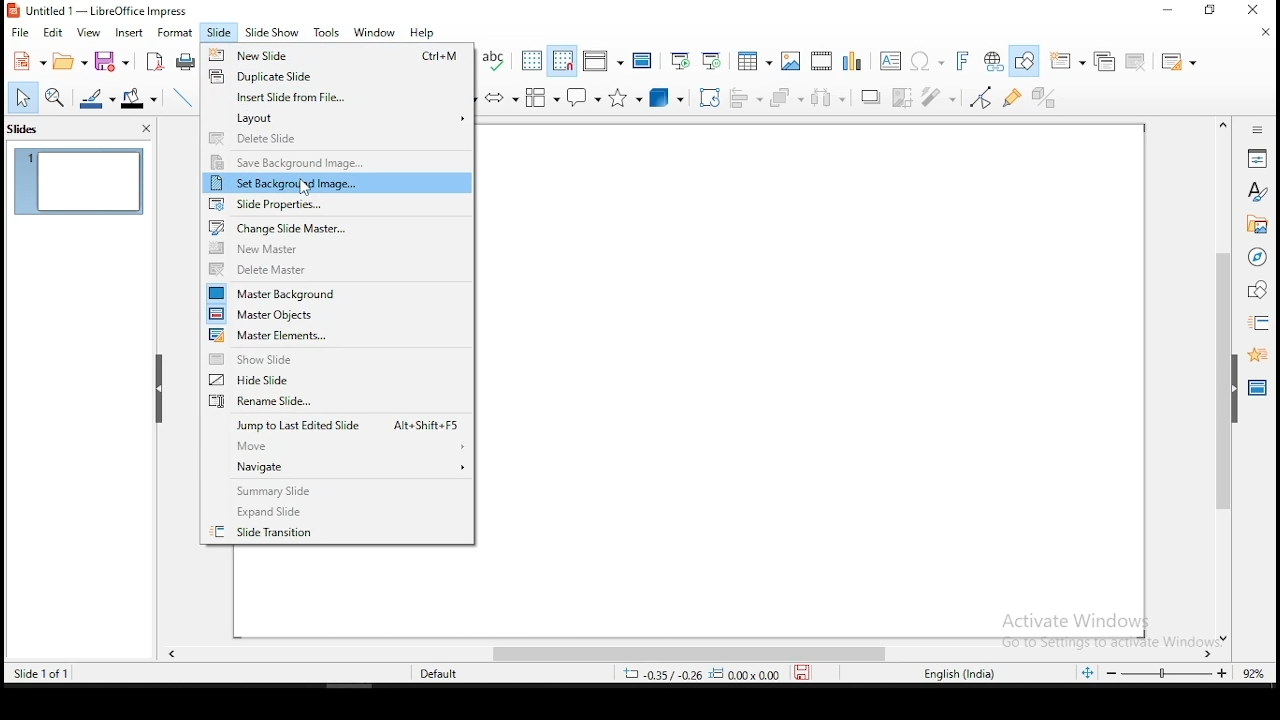 The width and height of the screenshot is (1280, 720). What do you see at coordinates (1206, 10) in the screenshot?
I see `restore` at bounding box center [1206, 10].